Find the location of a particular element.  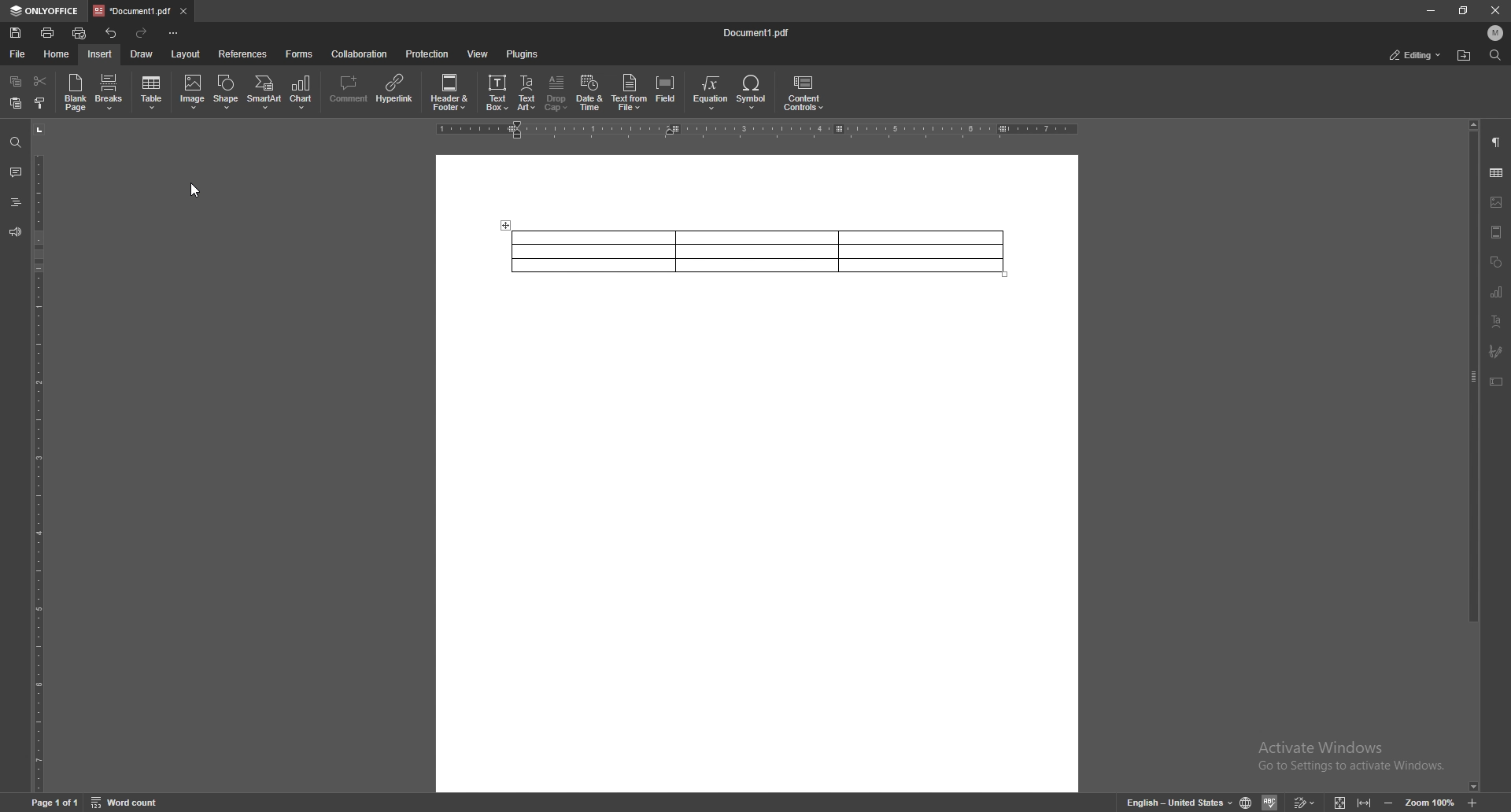

view is located at coordinates (478, 54).